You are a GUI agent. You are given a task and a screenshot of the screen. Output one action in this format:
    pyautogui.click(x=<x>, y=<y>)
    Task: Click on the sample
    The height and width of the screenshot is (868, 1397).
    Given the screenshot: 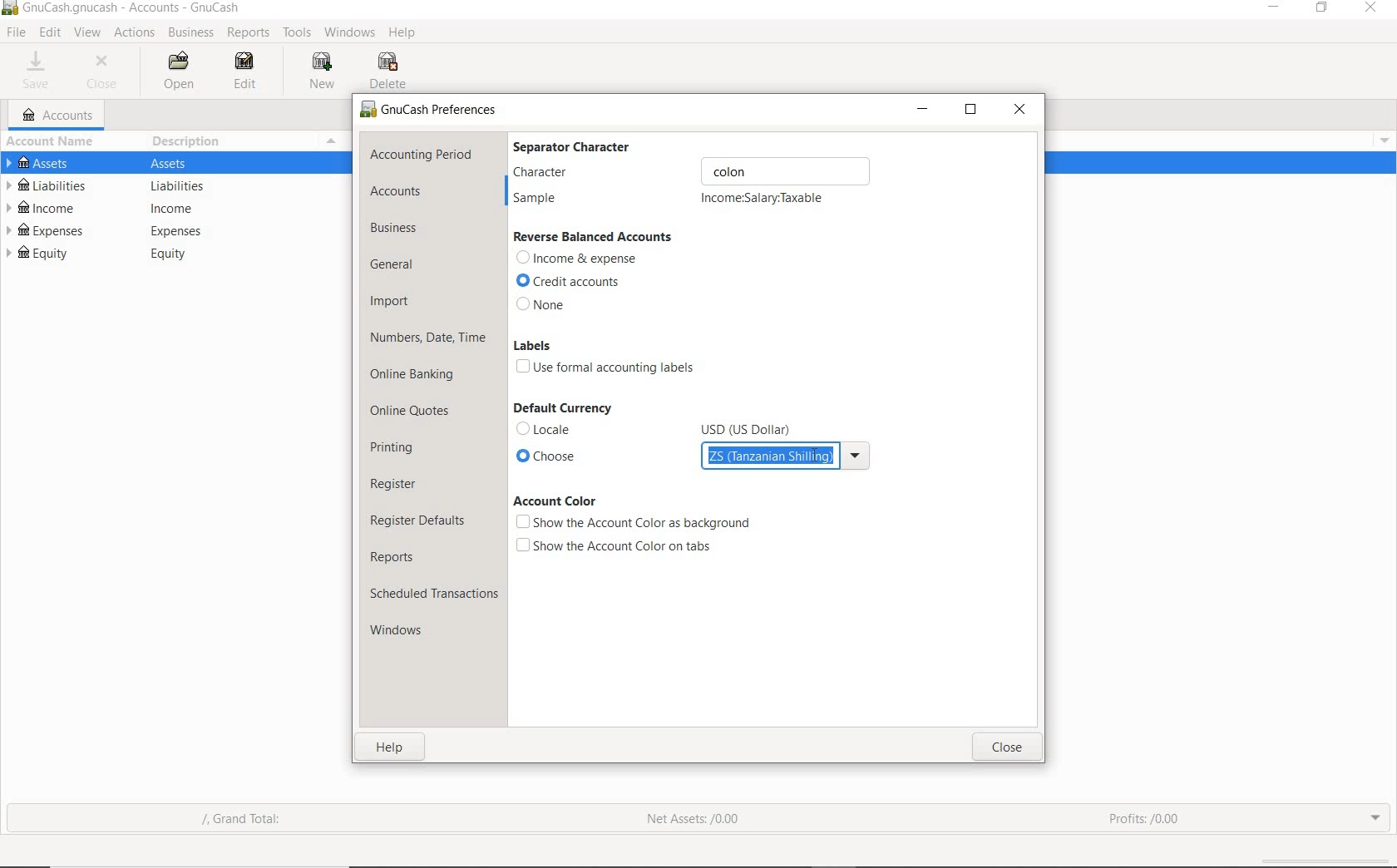 What is the action you would take?
    pyautogui.click(x=541, y=200)
    